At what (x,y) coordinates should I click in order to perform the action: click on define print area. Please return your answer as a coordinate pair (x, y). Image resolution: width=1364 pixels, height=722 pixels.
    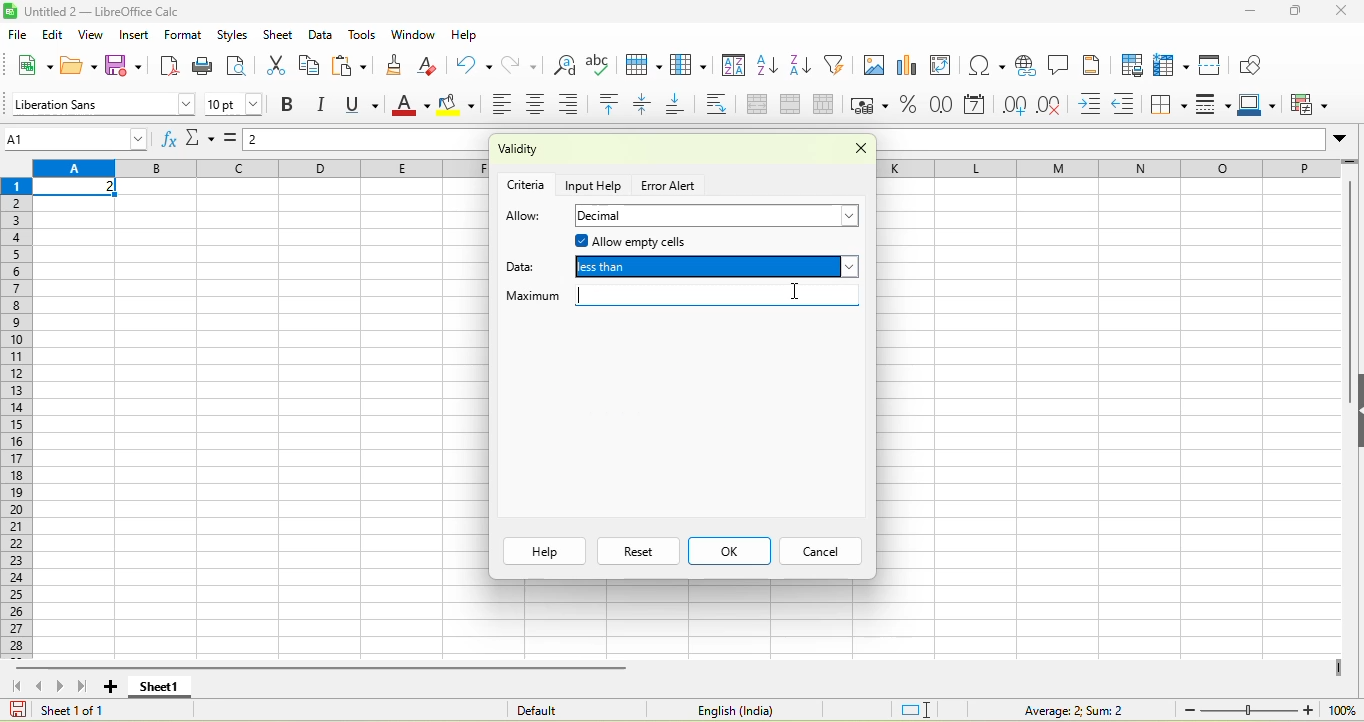
    Looking at the image, I should click on (1131, 65).